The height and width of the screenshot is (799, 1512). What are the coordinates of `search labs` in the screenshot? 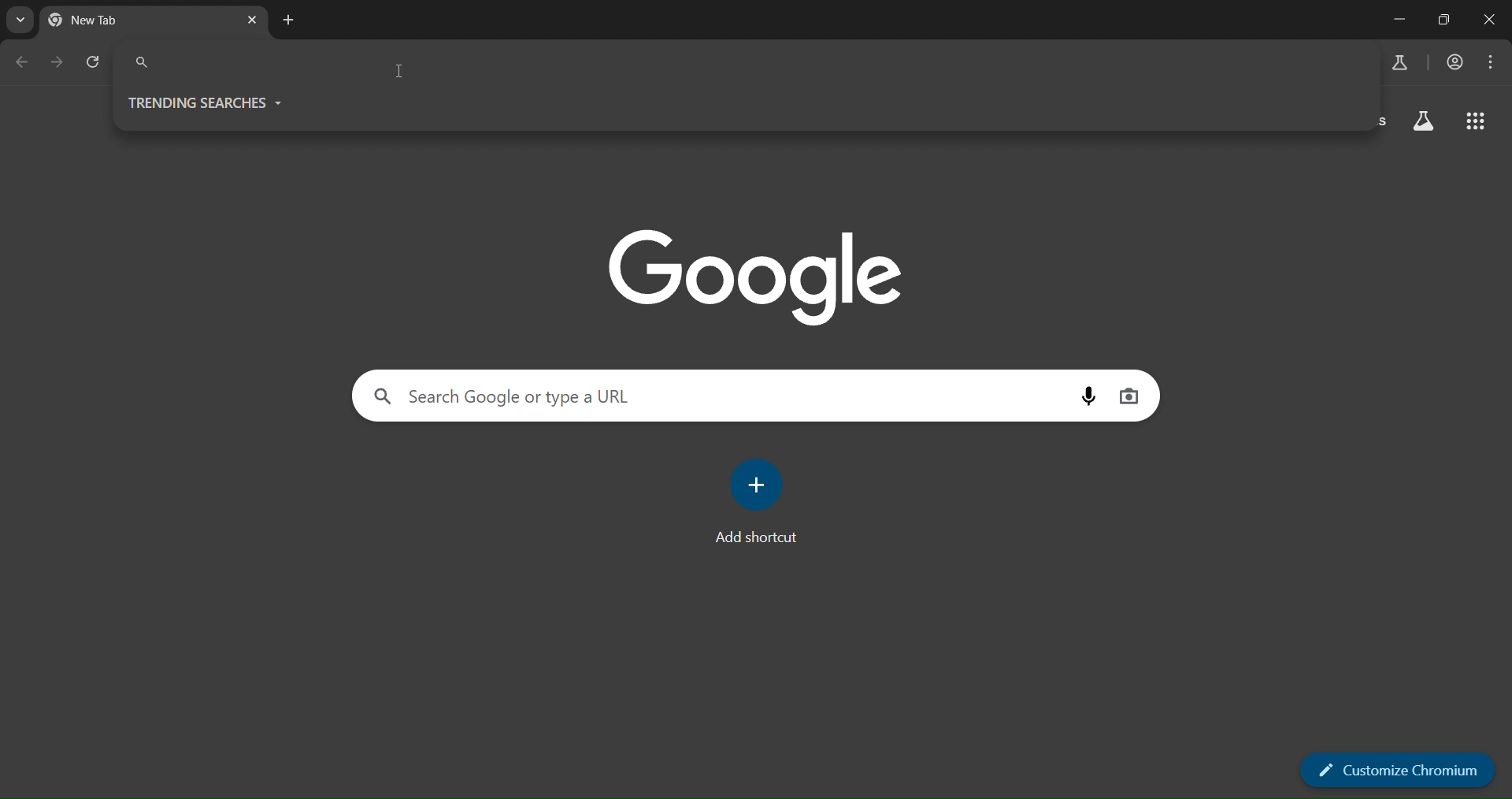 It's located at (1403, 65).